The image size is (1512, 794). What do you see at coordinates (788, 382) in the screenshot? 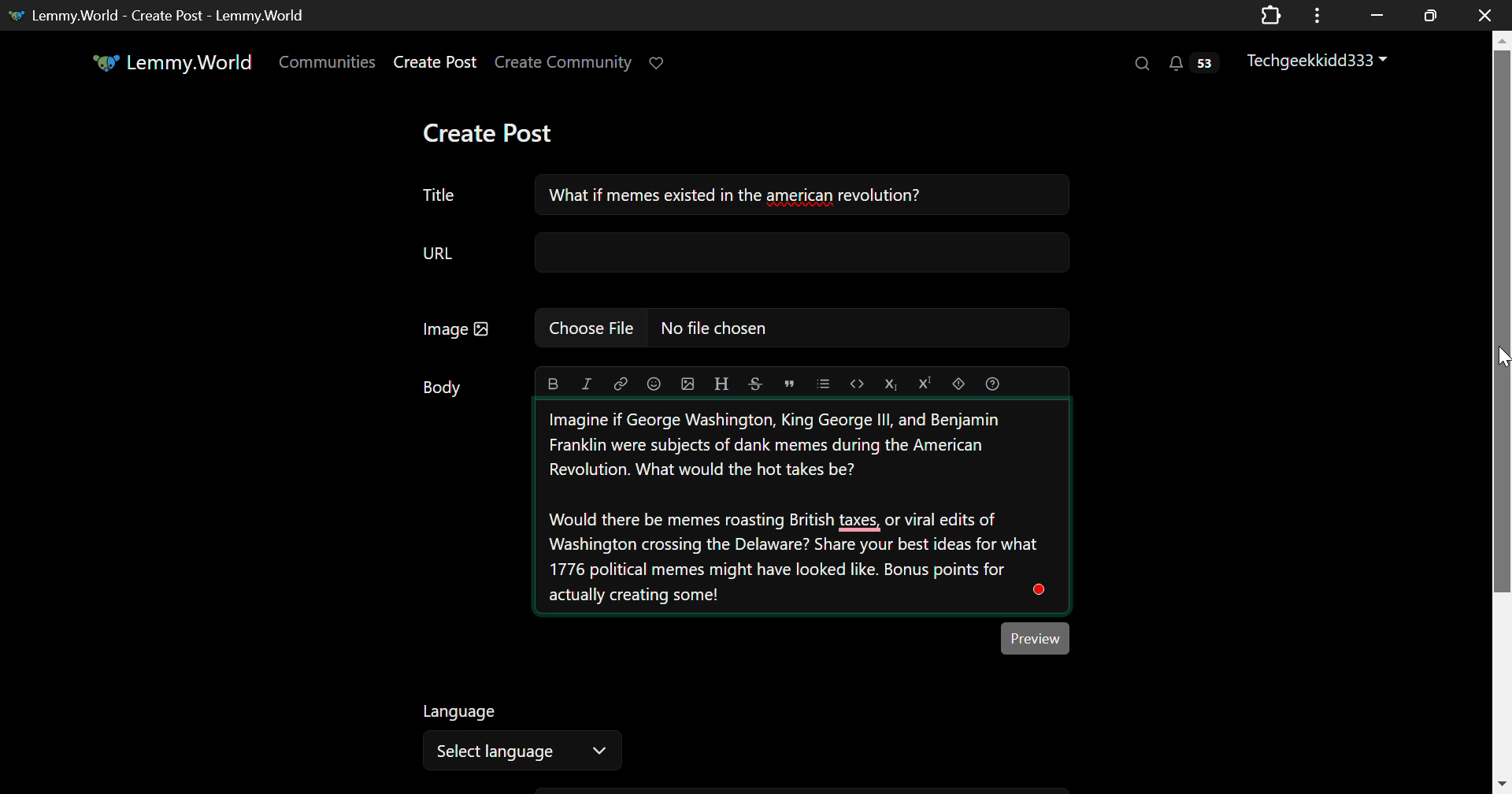
I see `Quote` at bounding box center [788, 382].